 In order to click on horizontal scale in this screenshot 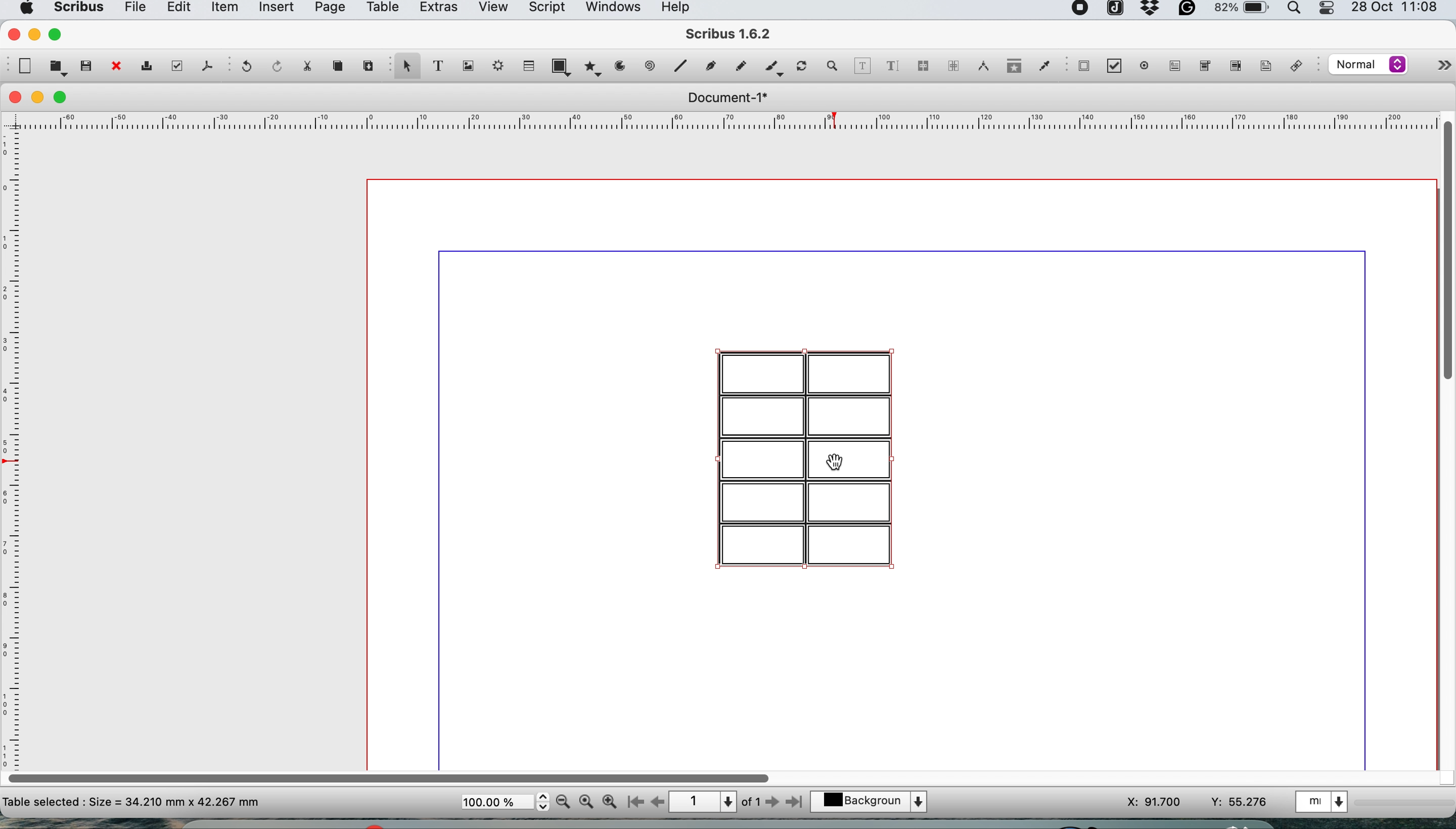, I will do `click(729, 124)`.